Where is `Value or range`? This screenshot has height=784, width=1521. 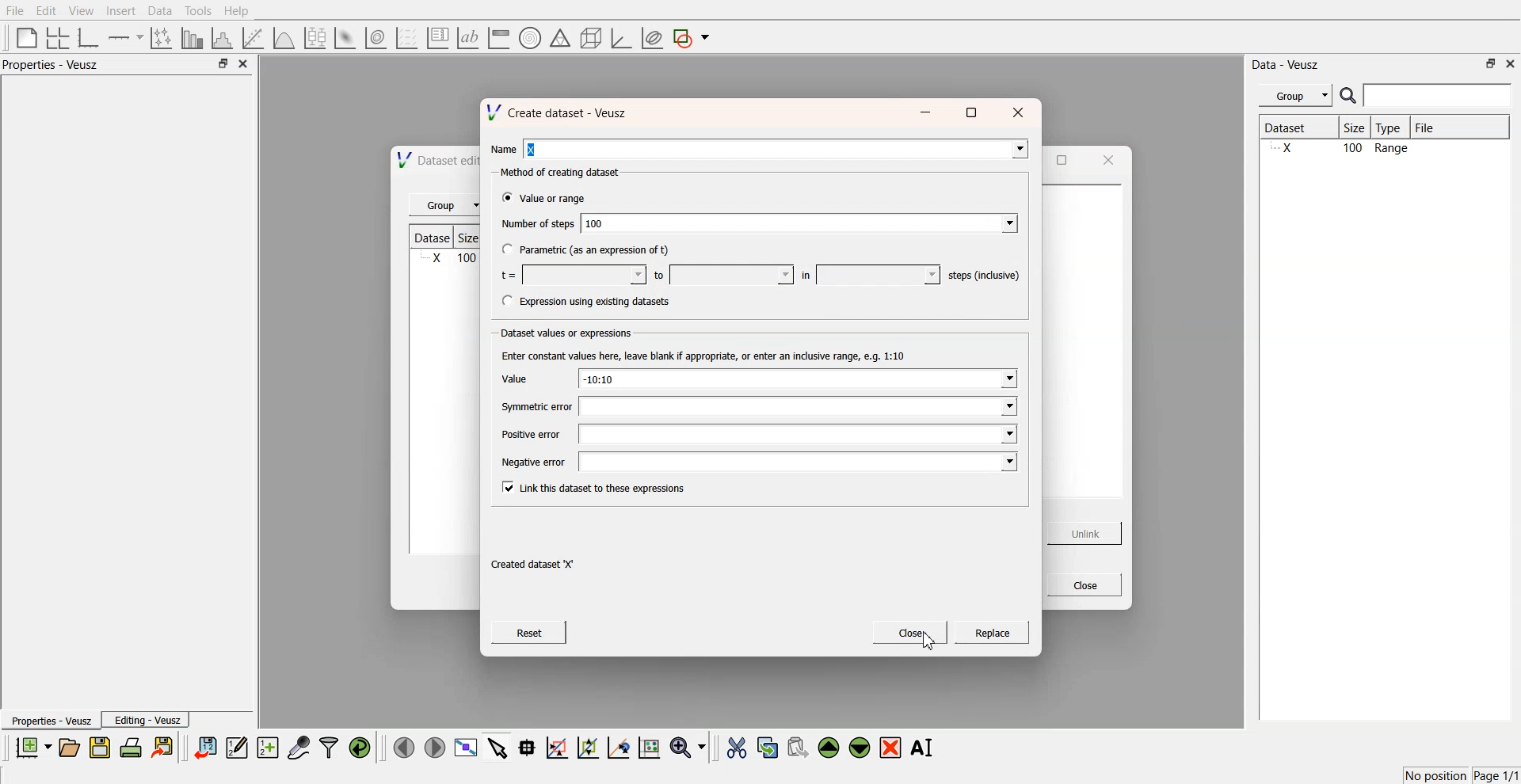 Value or range is located at coordinates (558, 200).